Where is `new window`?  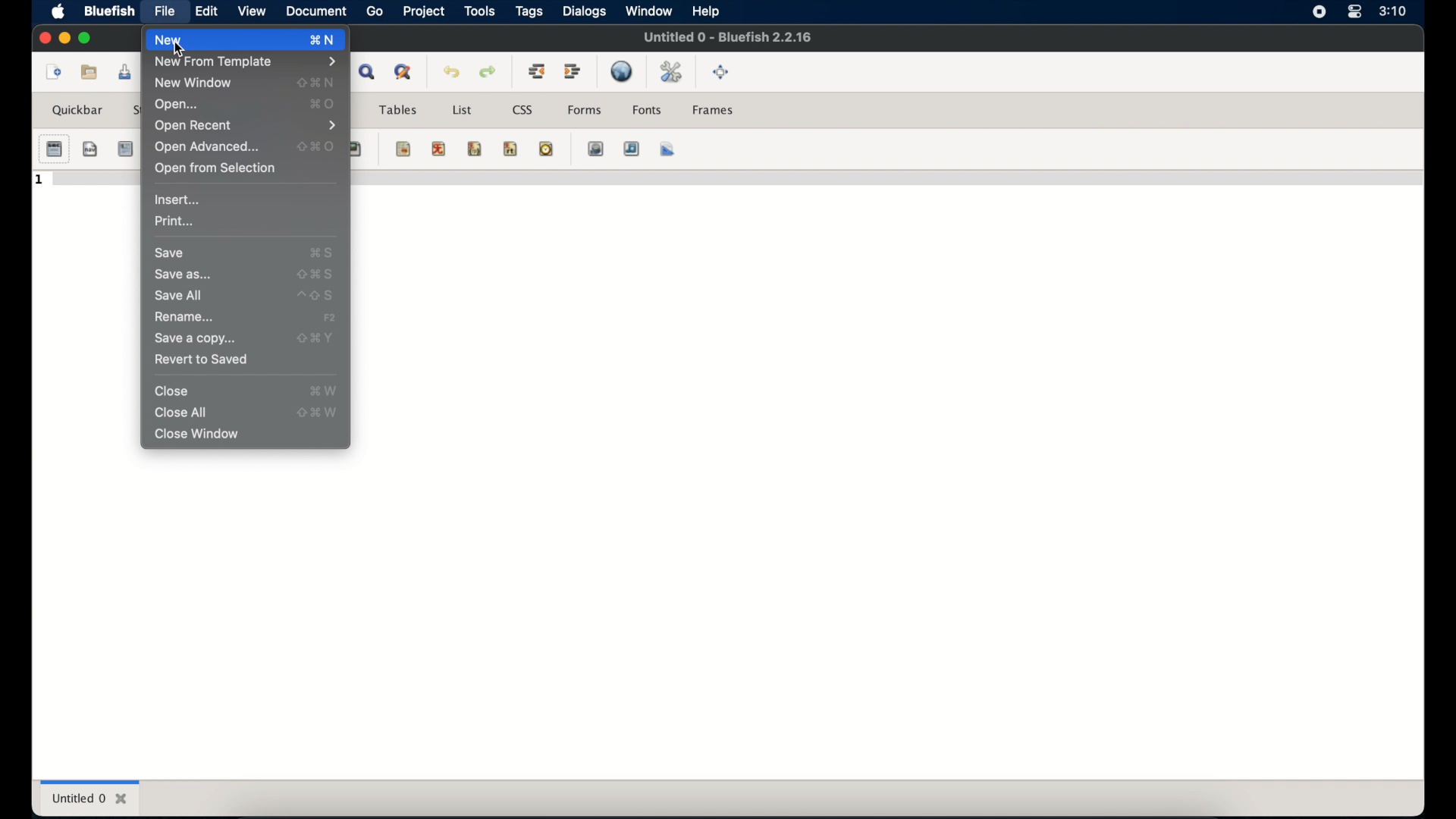
new window is located at coordinates (195, 83).